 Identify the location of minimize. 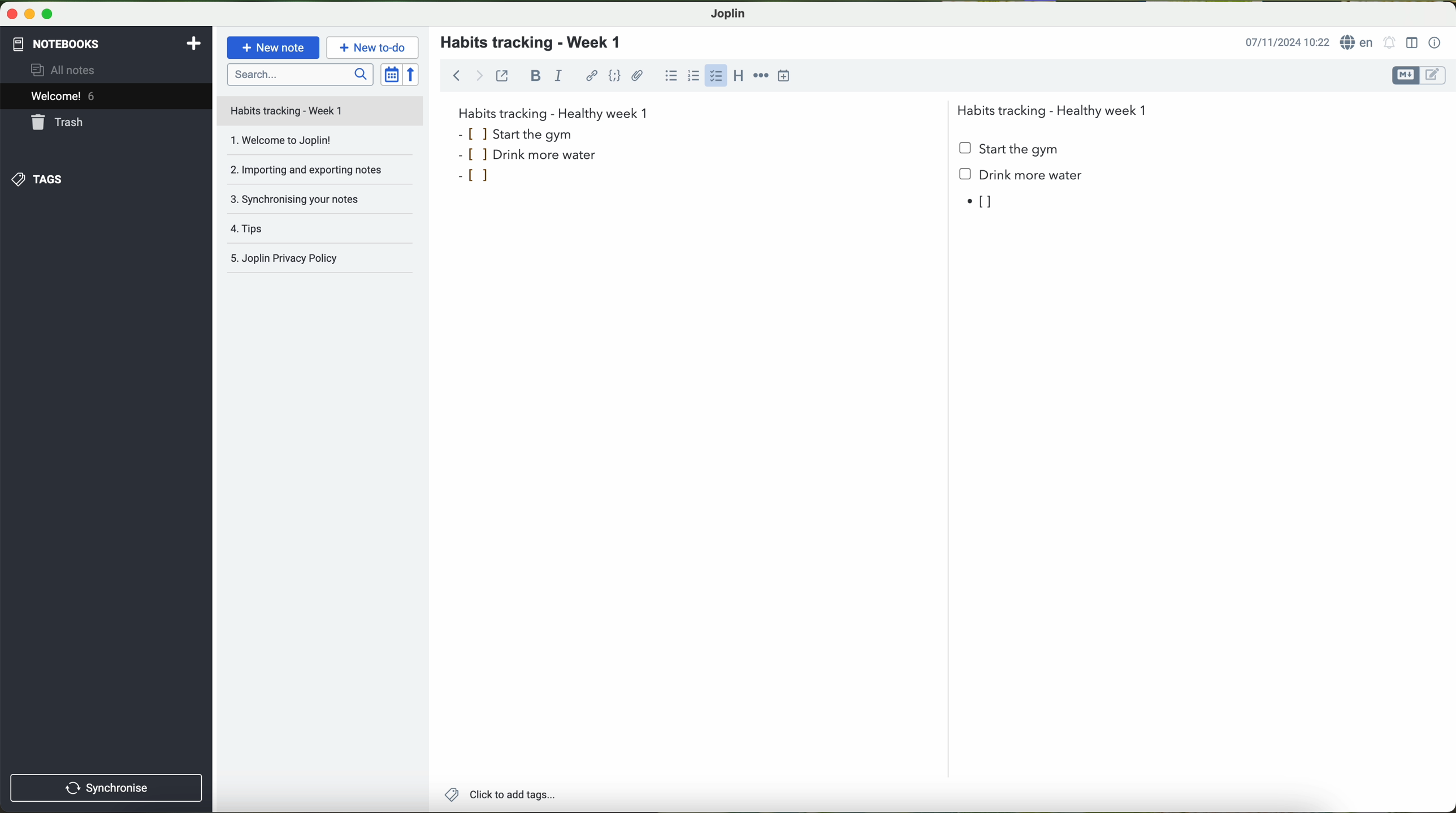
(27, 13).